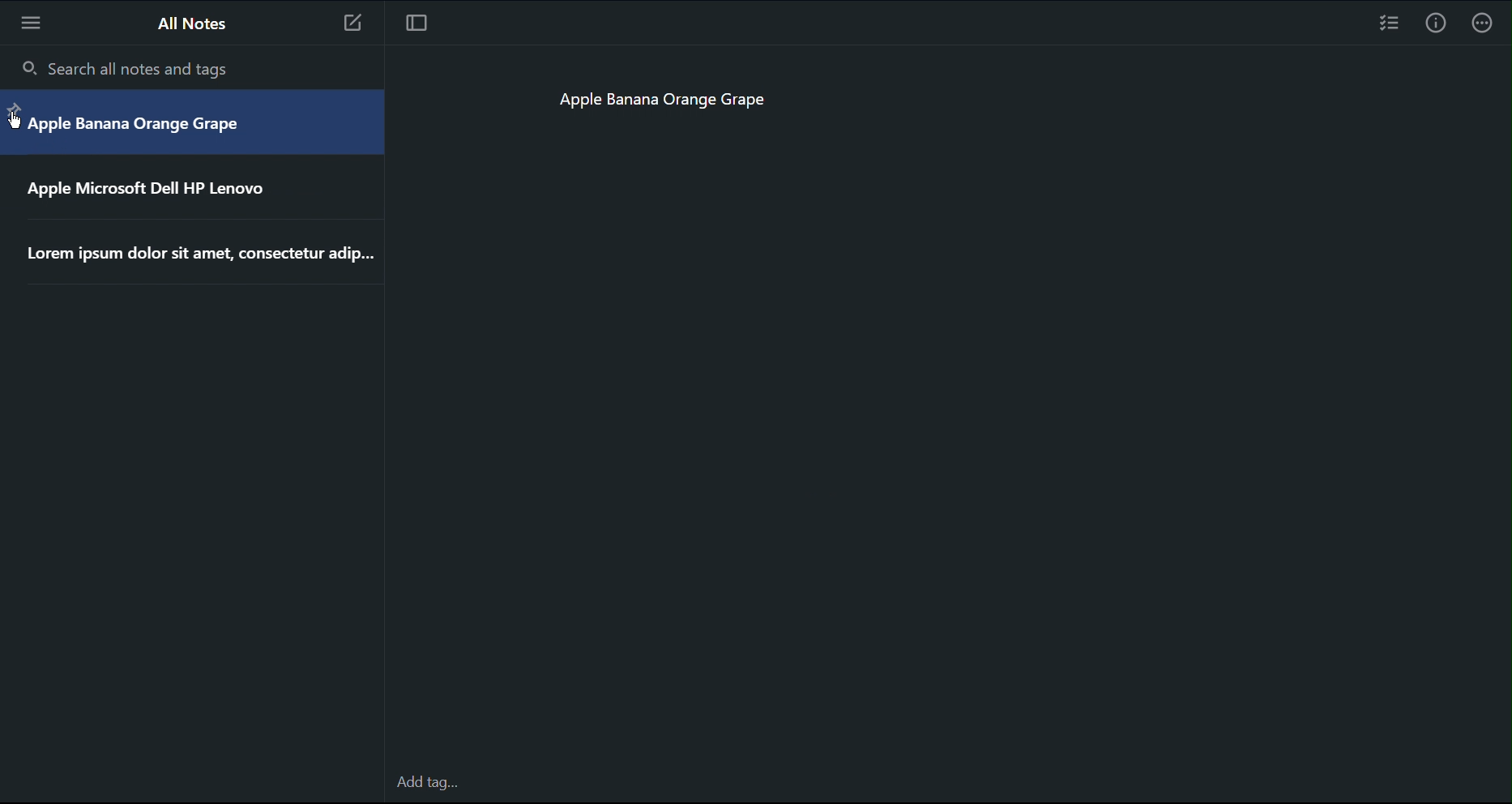  I want to click on Checklist, so click(1388, 23).